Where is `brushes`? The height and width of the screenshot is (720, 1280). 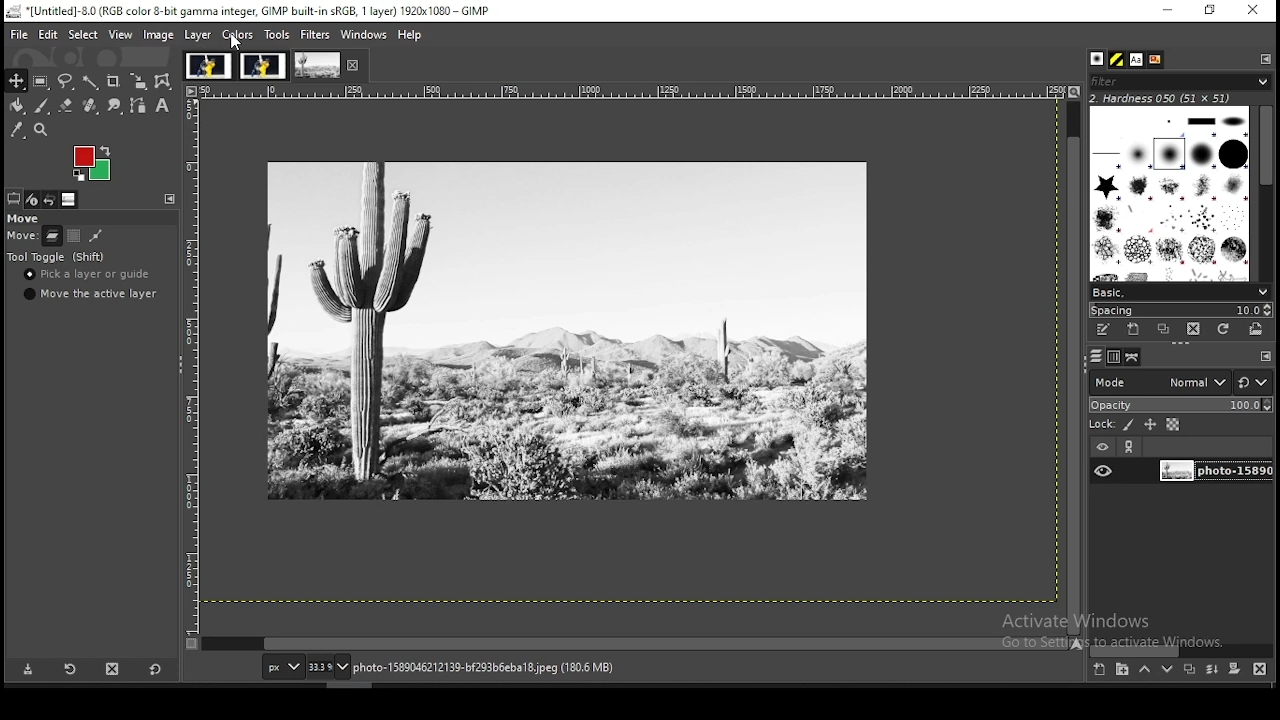
brushes is located at coordinates (1171, 193).